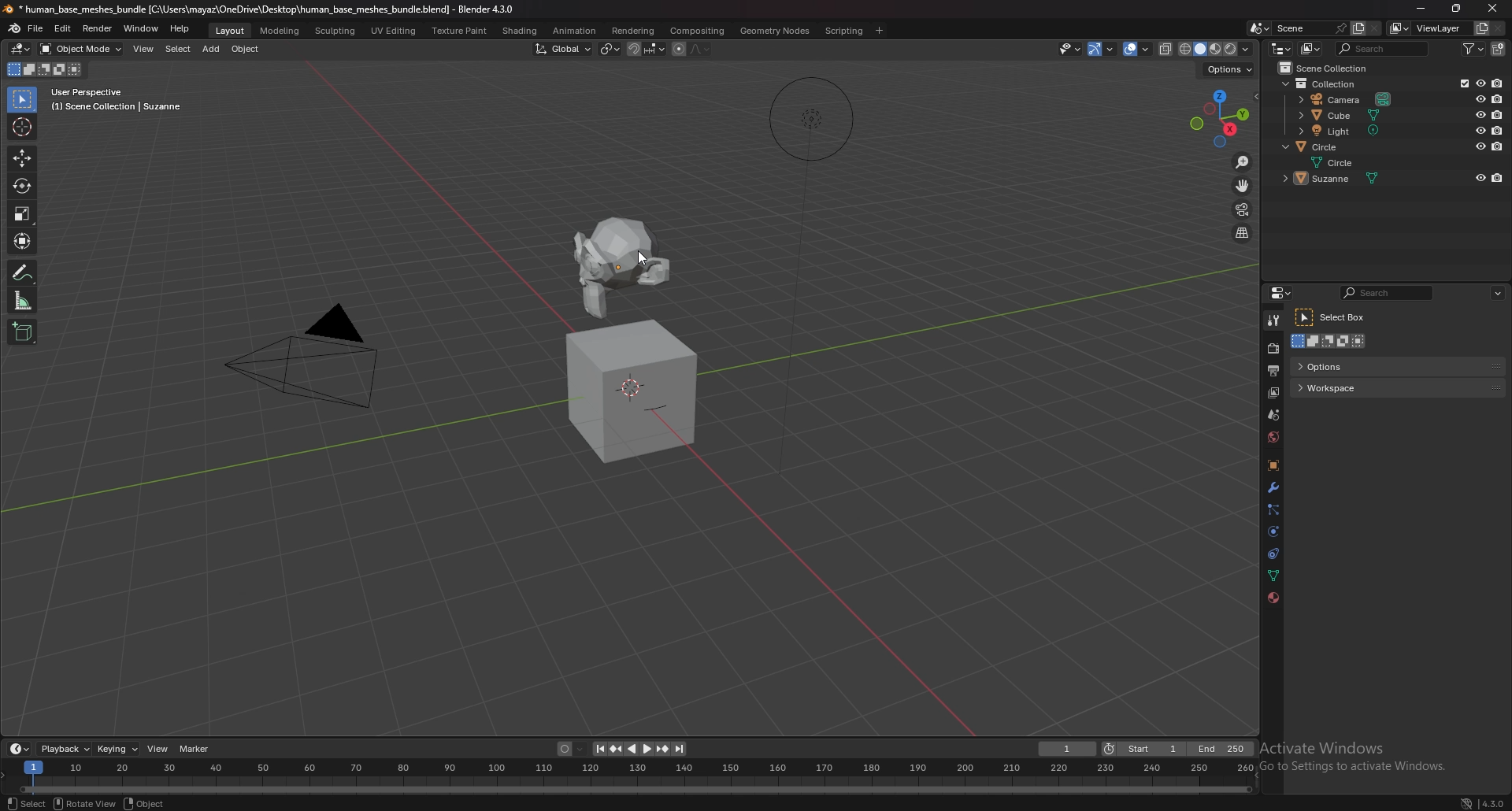  What do you see at coordinates (335, 30) in the screenshot?
I see `sculpting` at bounding box center [335, 30].